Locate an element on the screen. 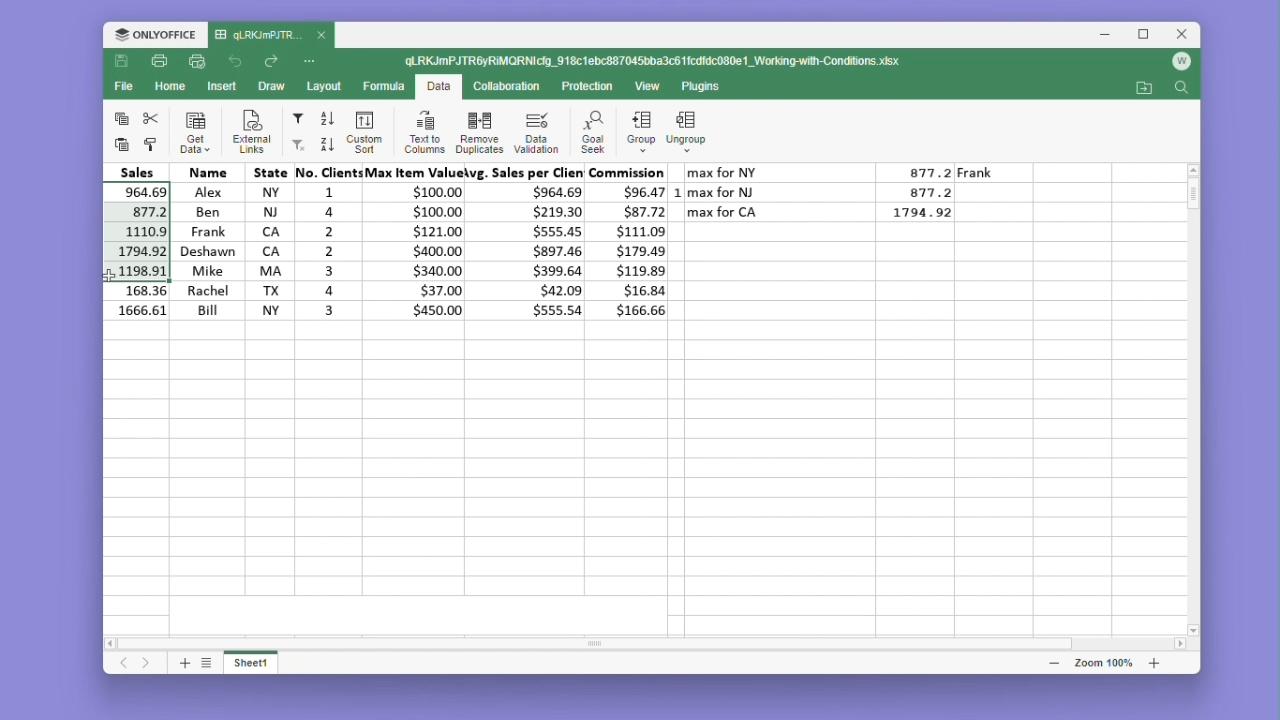  Formula is located at coordinates (385, 85).